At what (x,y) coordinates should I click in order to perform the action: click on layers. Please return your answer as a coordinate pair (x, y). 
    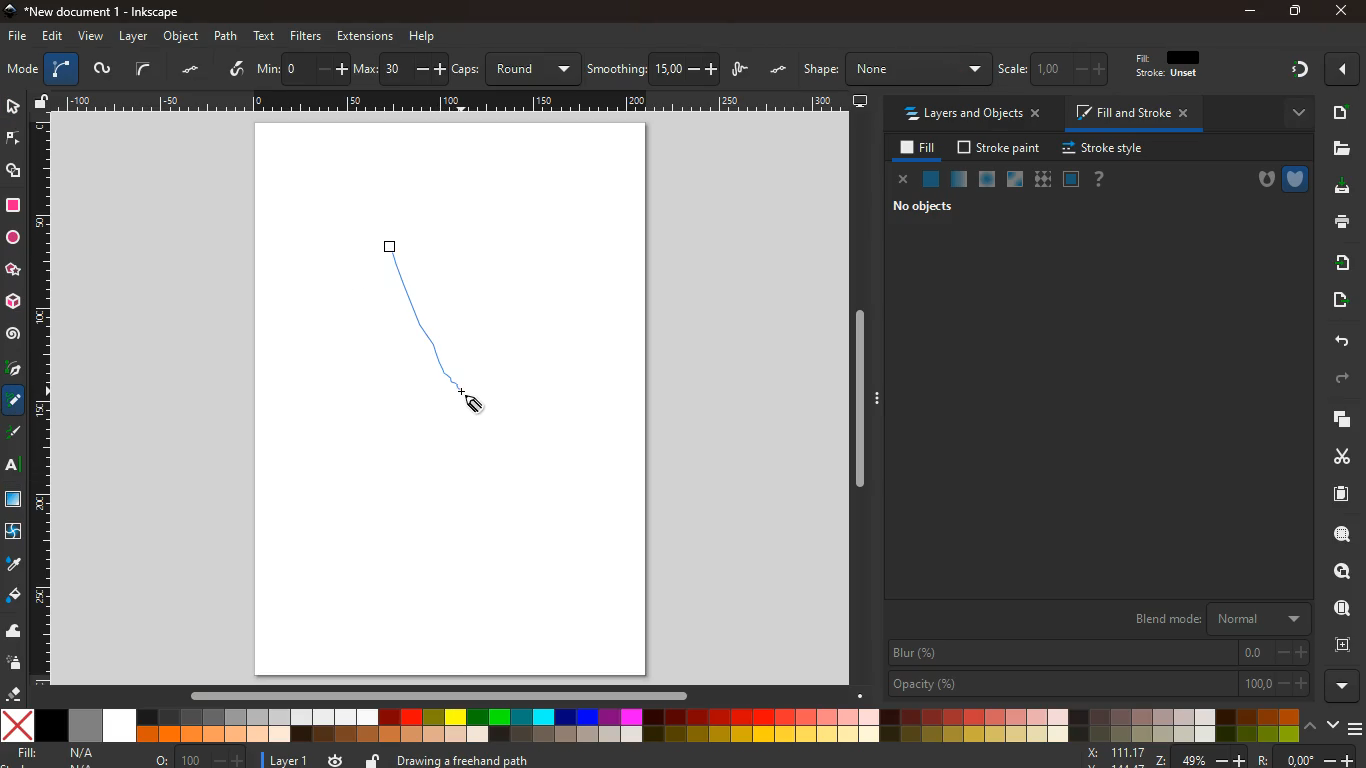
    Looking at the image, I should click on (1335, 419).